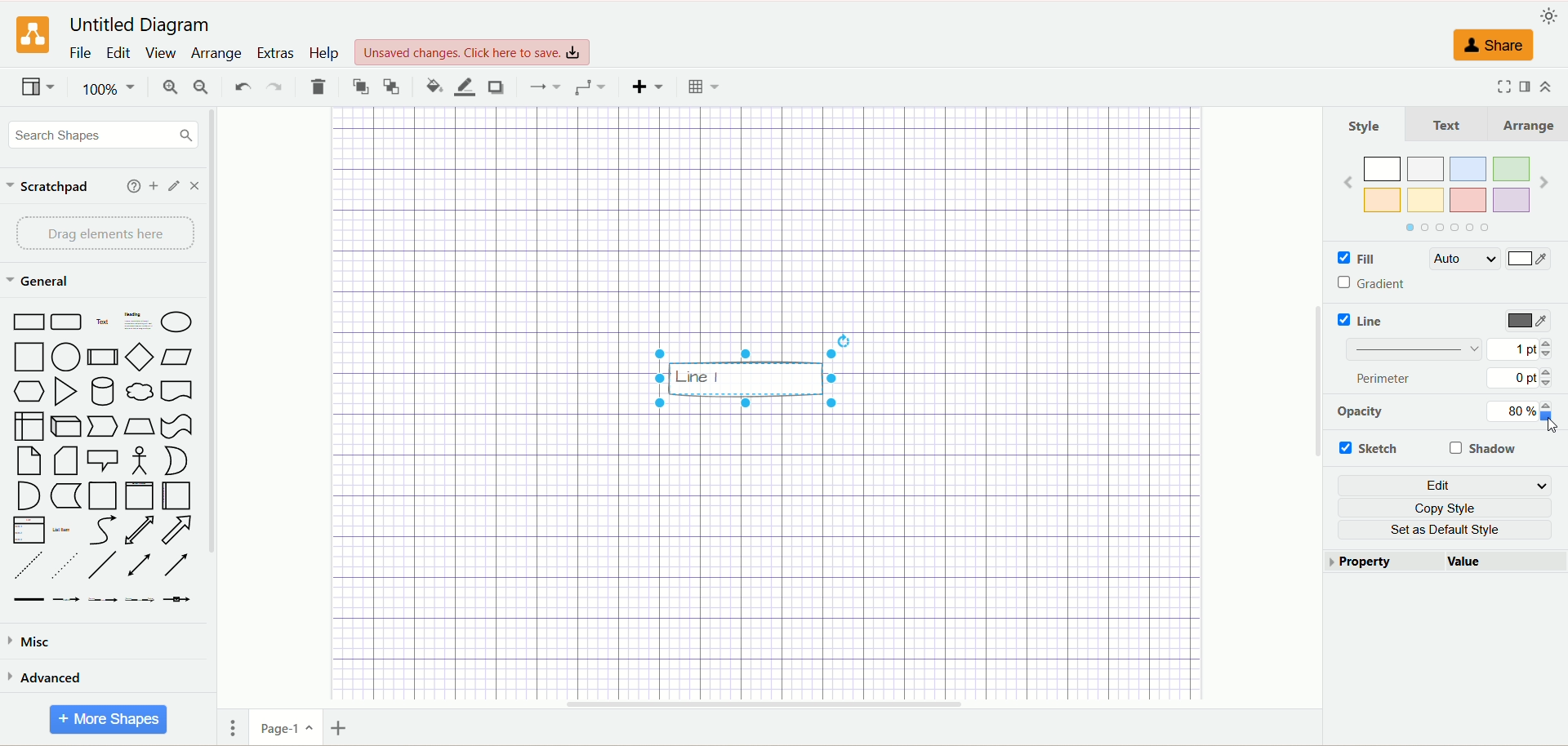 The image size is (1568, 746). Describe the element at coordinates (29, 393) in the screenshot. I see `Hexagon` at that location.